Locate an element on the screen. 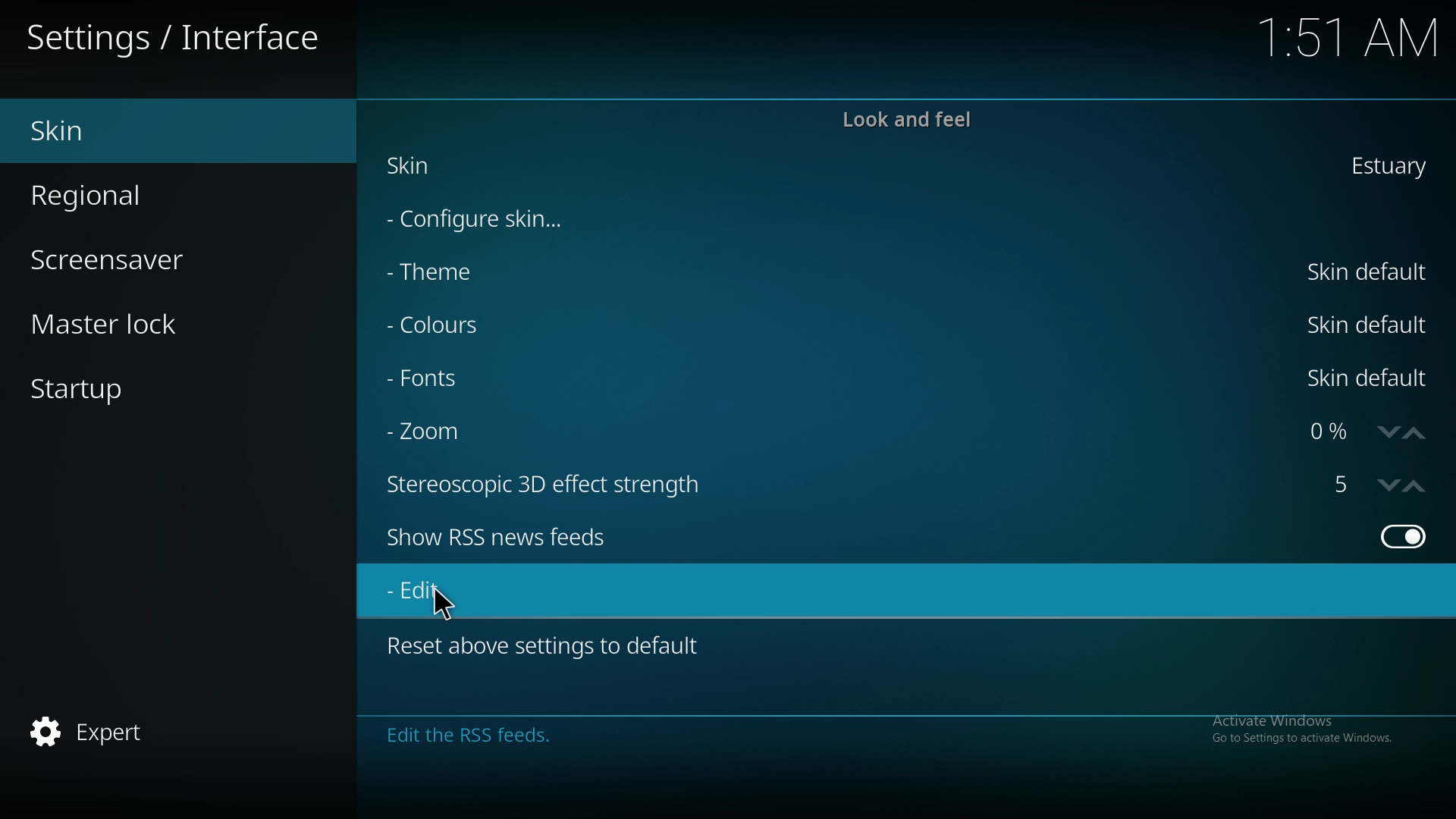  regional is located at coordinates (115, 193).